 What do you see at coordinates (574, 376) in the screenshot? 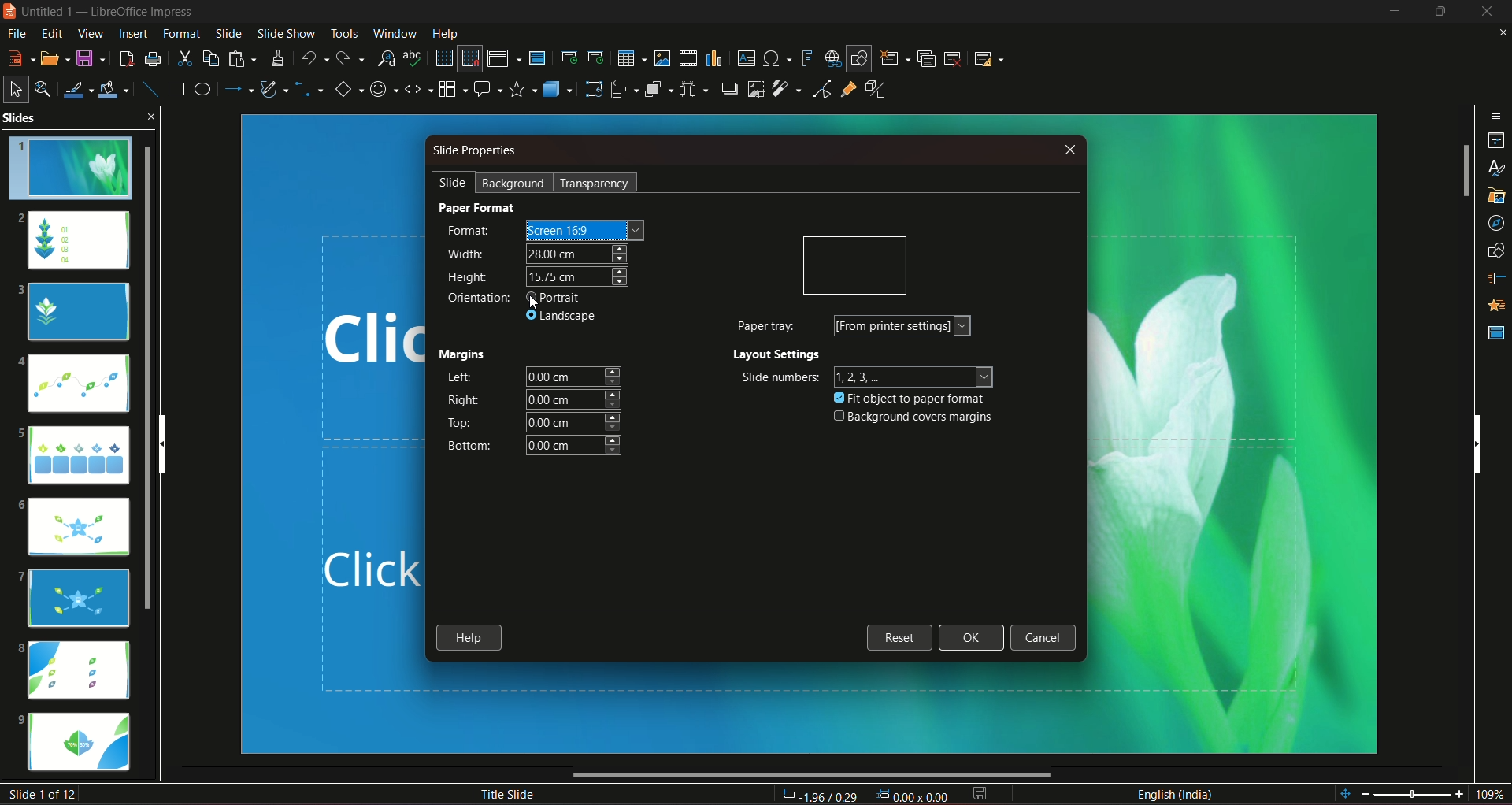
I see `left margin` at bounding box center [574, 376].